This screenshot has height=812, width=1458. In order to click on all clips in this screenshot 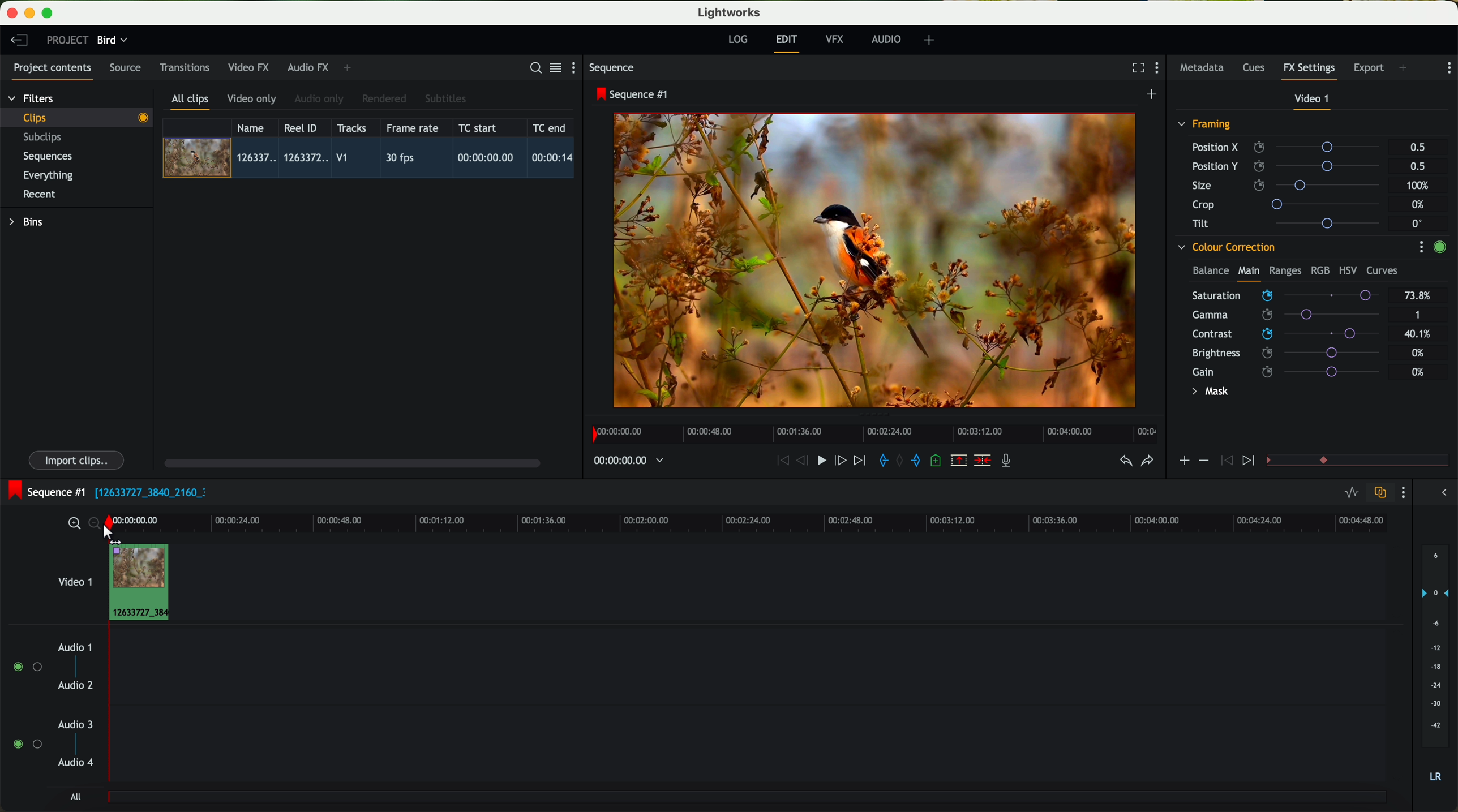, I will do `click(191, 102)`.